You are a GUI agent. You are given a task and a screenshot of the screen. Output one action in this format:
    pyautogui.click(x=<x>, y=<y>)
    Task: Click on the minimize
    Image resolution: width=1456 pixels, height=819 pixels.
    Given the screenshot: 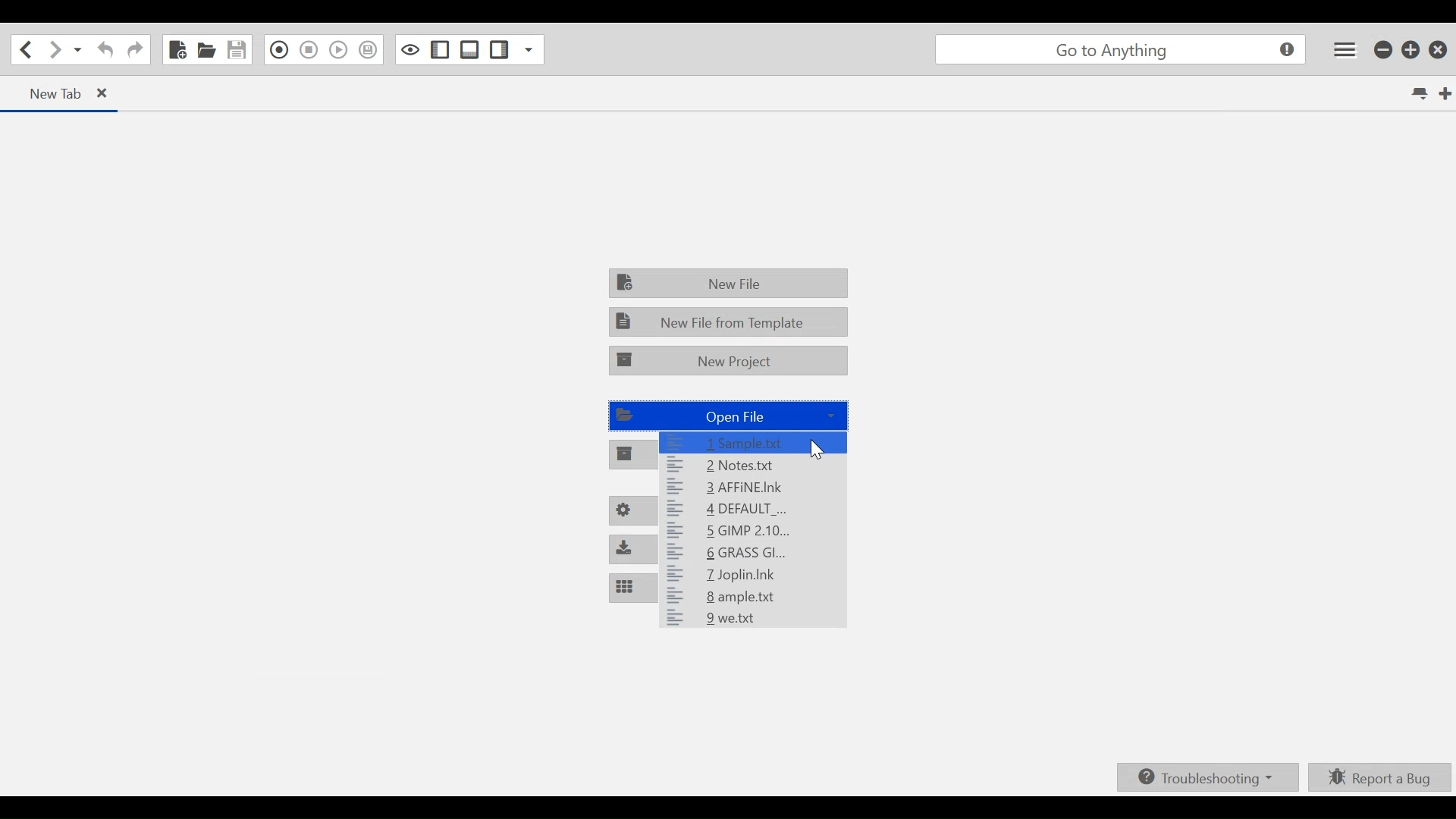 What is the action you would take?
    pyautogui.click(x=1380, y=50)
    